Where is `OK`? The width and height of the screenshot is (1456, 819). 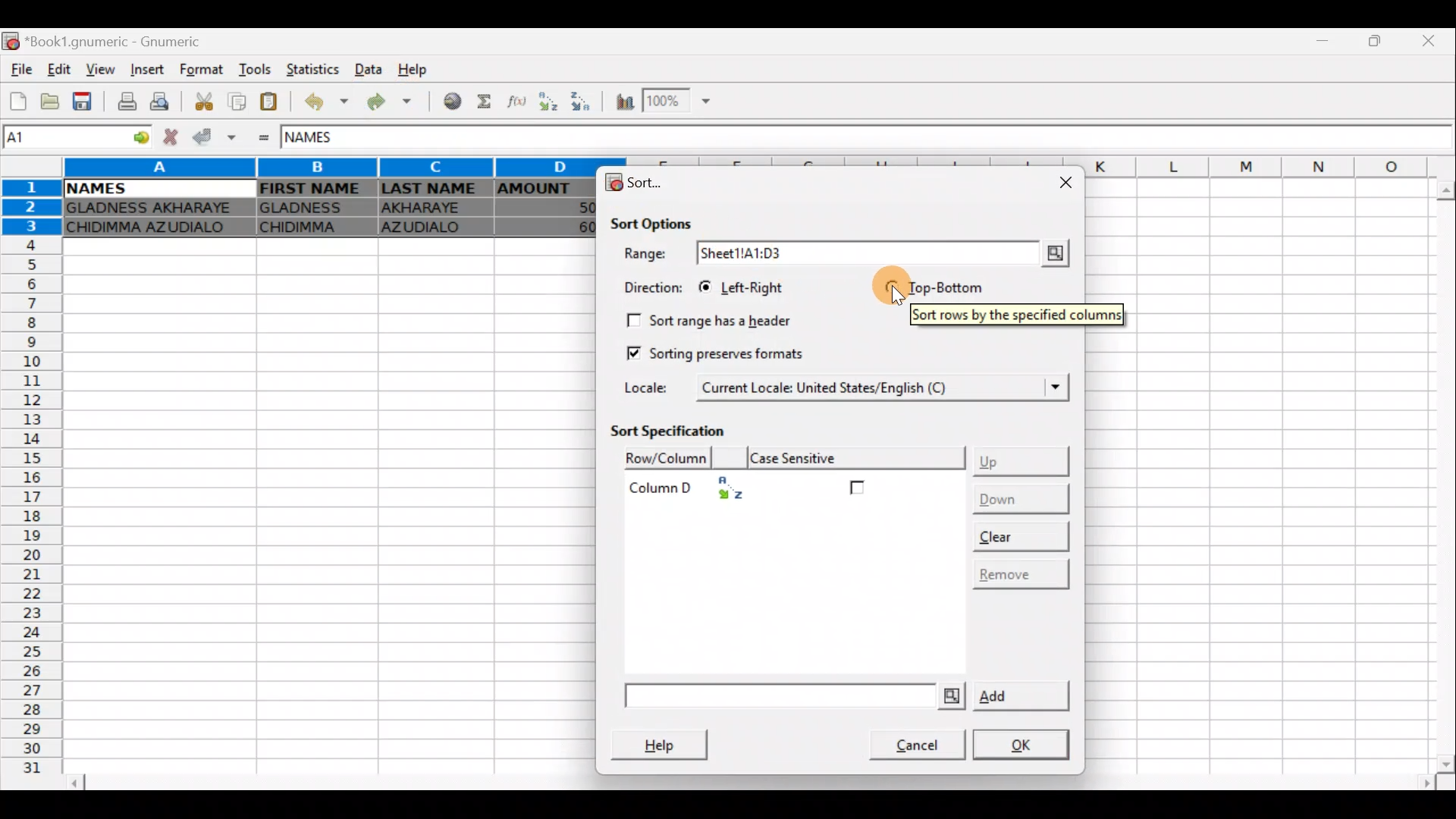
OK is located at coordinates (1024, 745).